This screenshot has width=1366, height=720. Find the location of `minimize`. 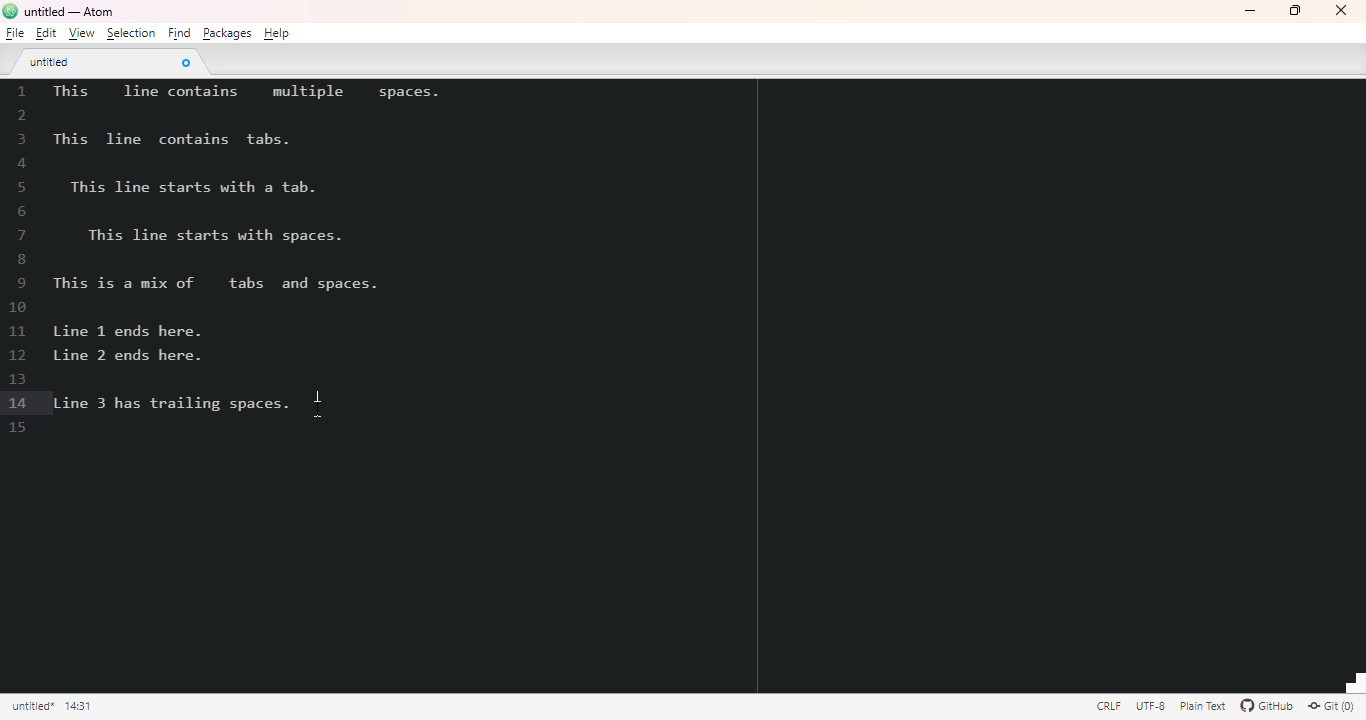

minimize is located at coordinates (1250, 11).